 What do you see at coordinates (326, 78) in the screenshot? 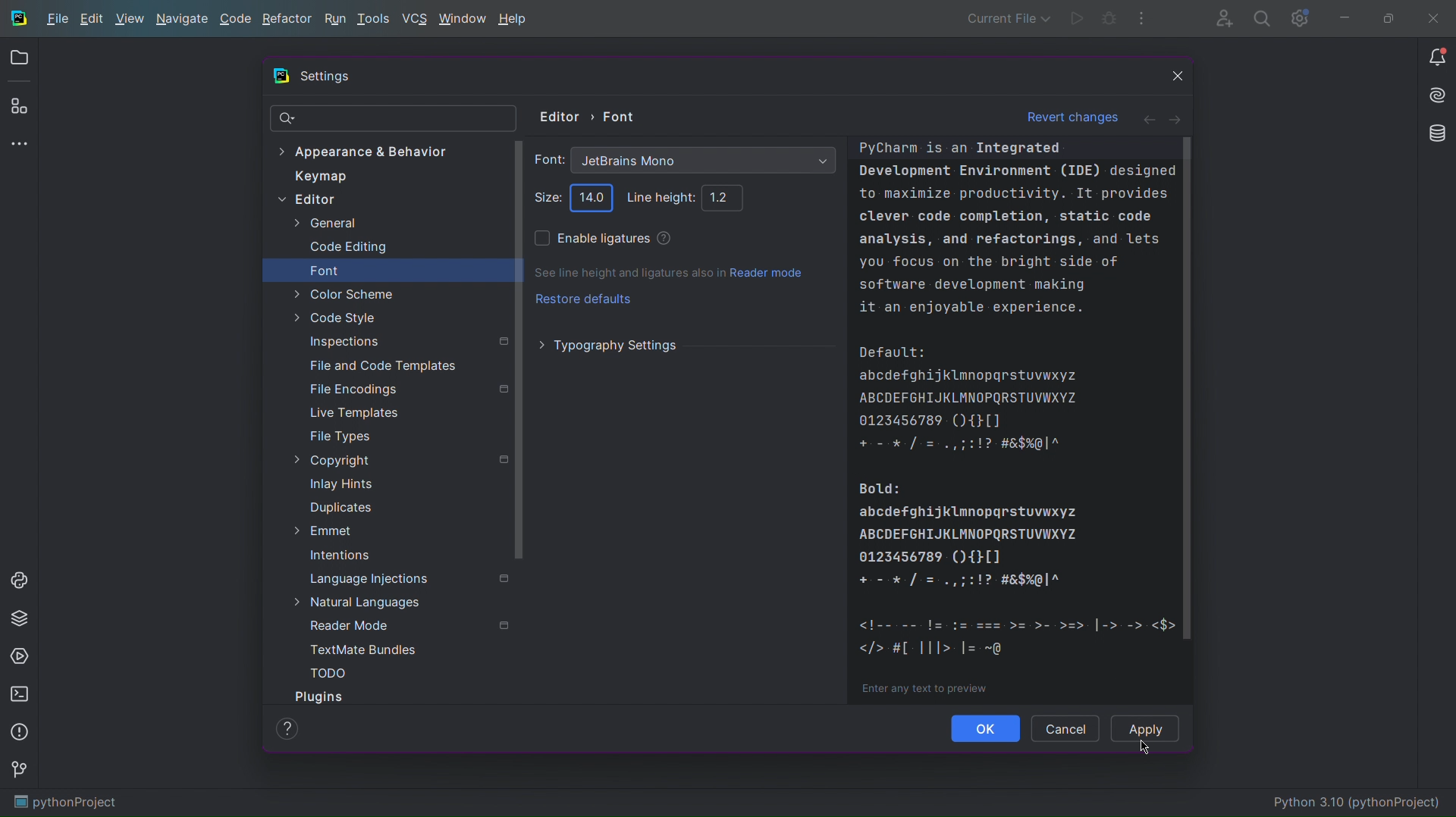
I see `Settings` at bounding box center [326, 78].